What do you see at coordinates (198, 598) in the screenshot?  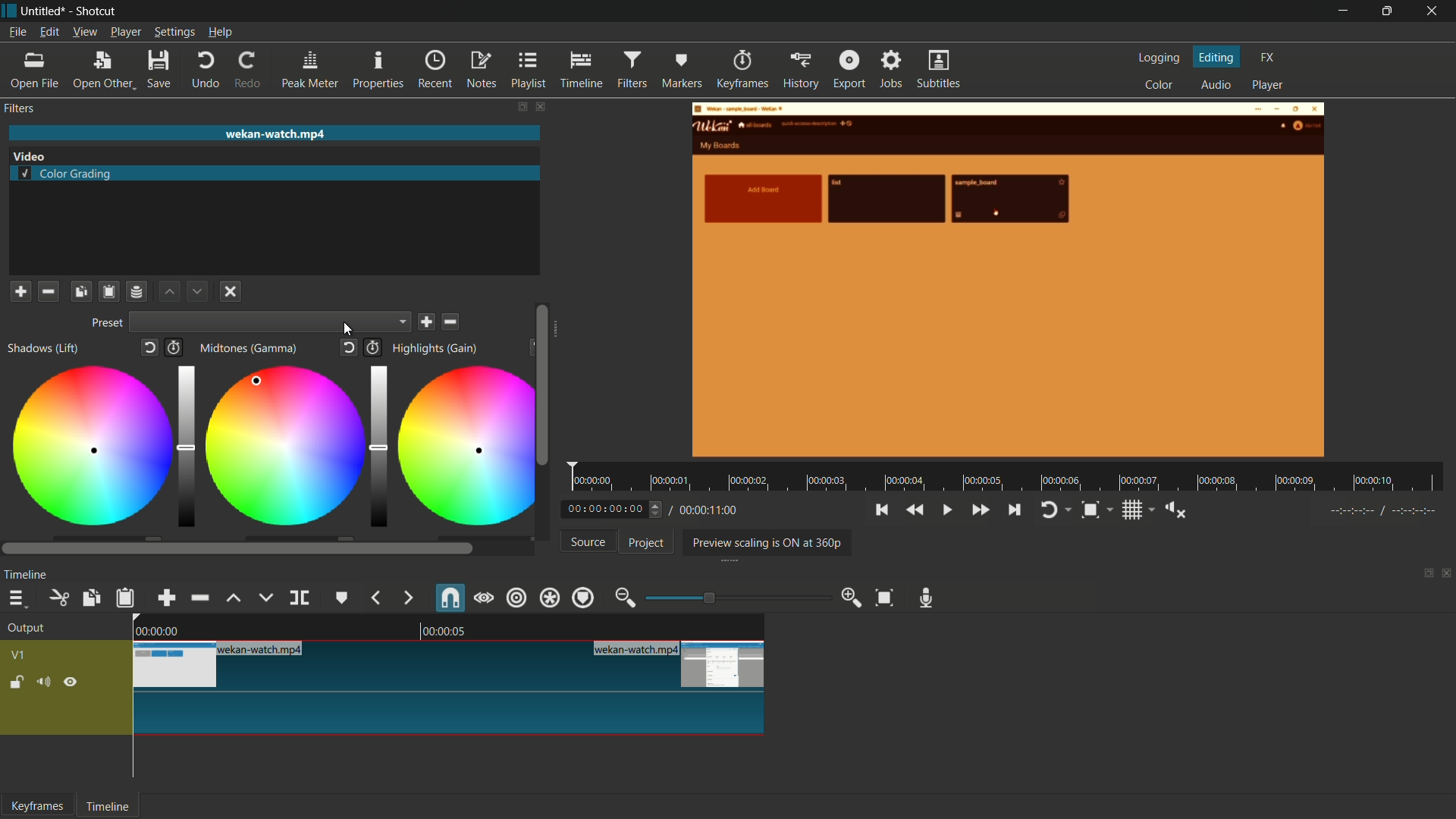 I see `ripple delete` at bounding box center [198, 598].